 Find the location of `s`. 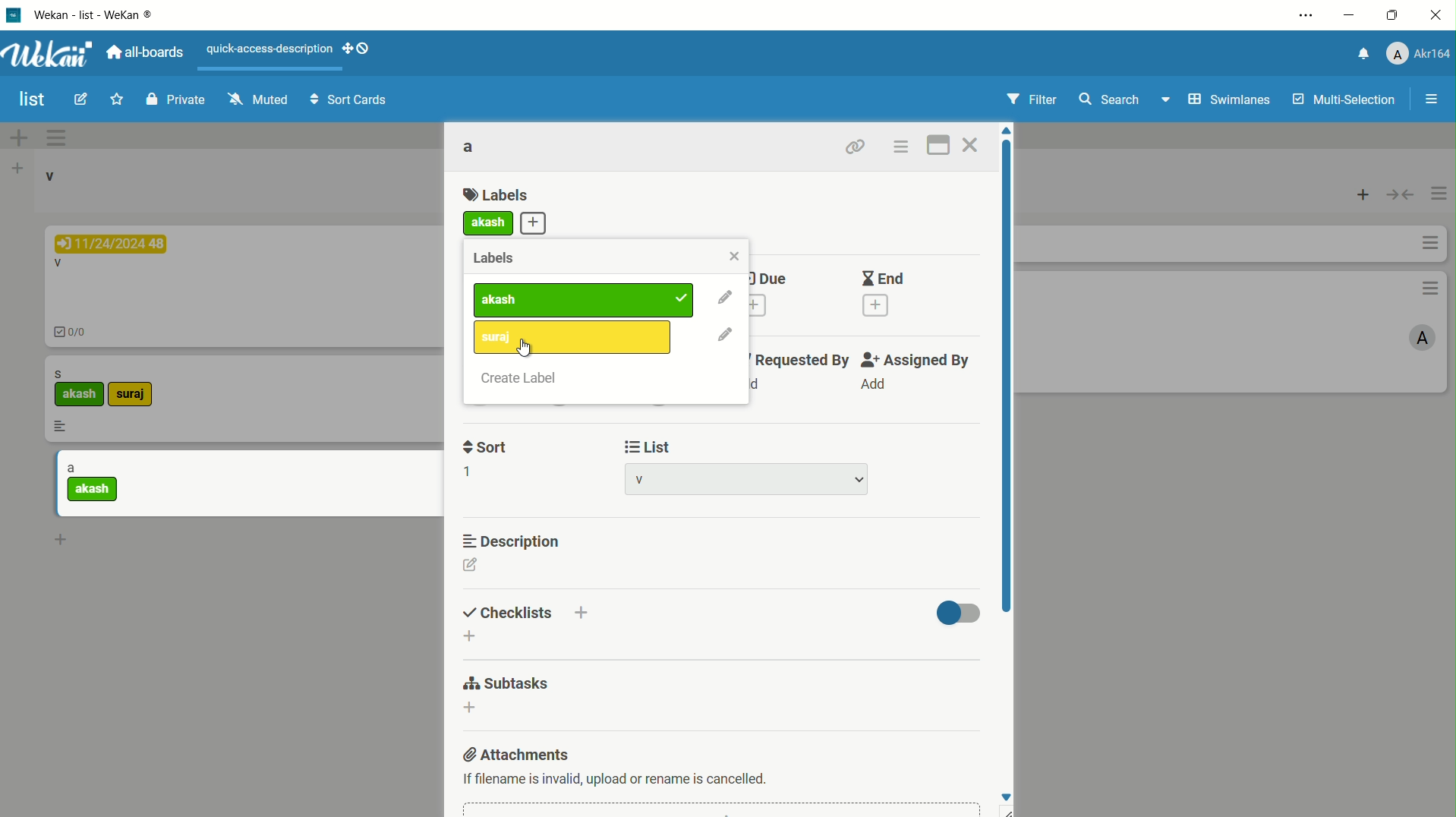

s is located at coordinates (66, 373).